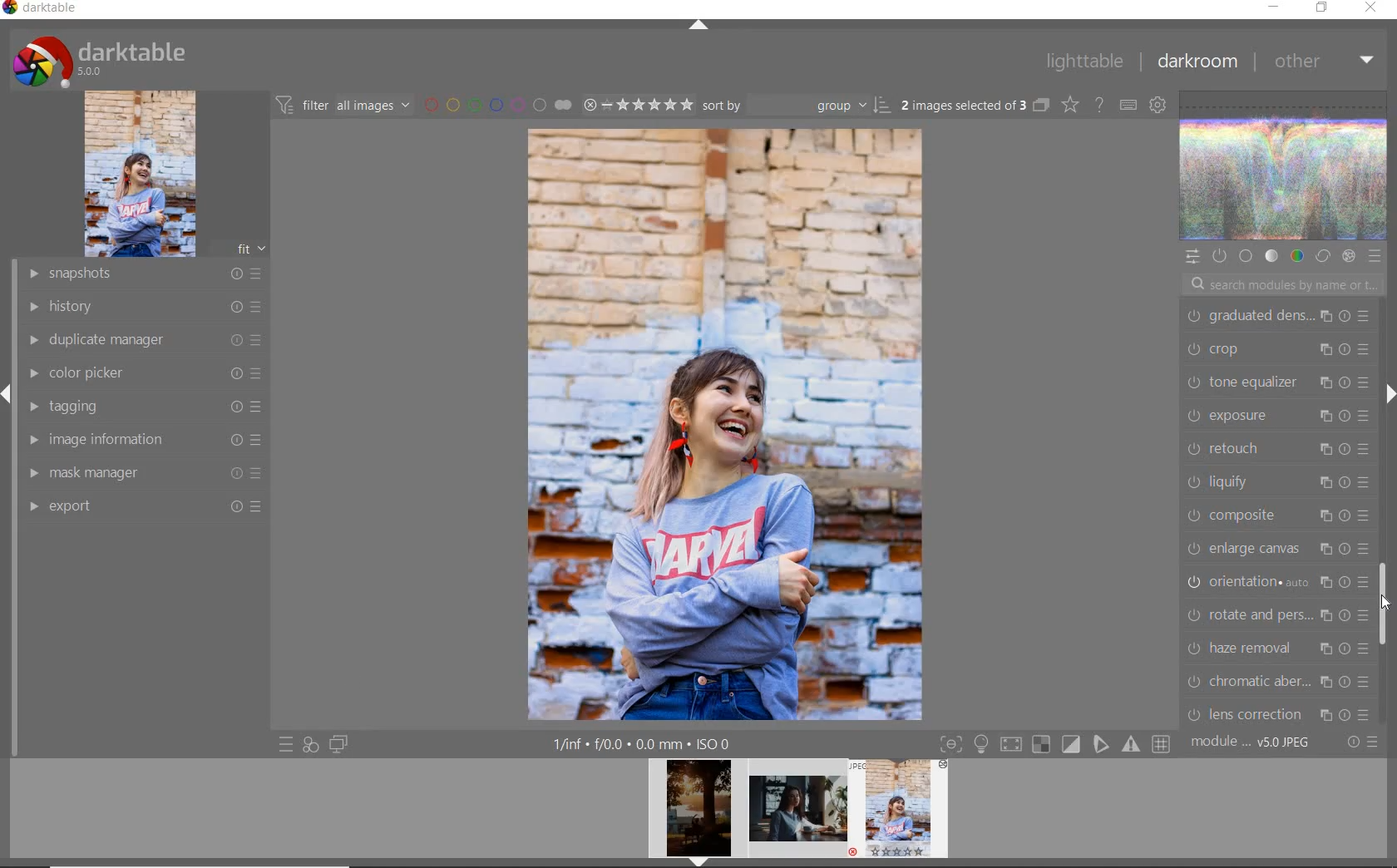  What do you see at coordinates (798, 813) in the screenshot?
I see `image preview` at bounding box center [798, 813].